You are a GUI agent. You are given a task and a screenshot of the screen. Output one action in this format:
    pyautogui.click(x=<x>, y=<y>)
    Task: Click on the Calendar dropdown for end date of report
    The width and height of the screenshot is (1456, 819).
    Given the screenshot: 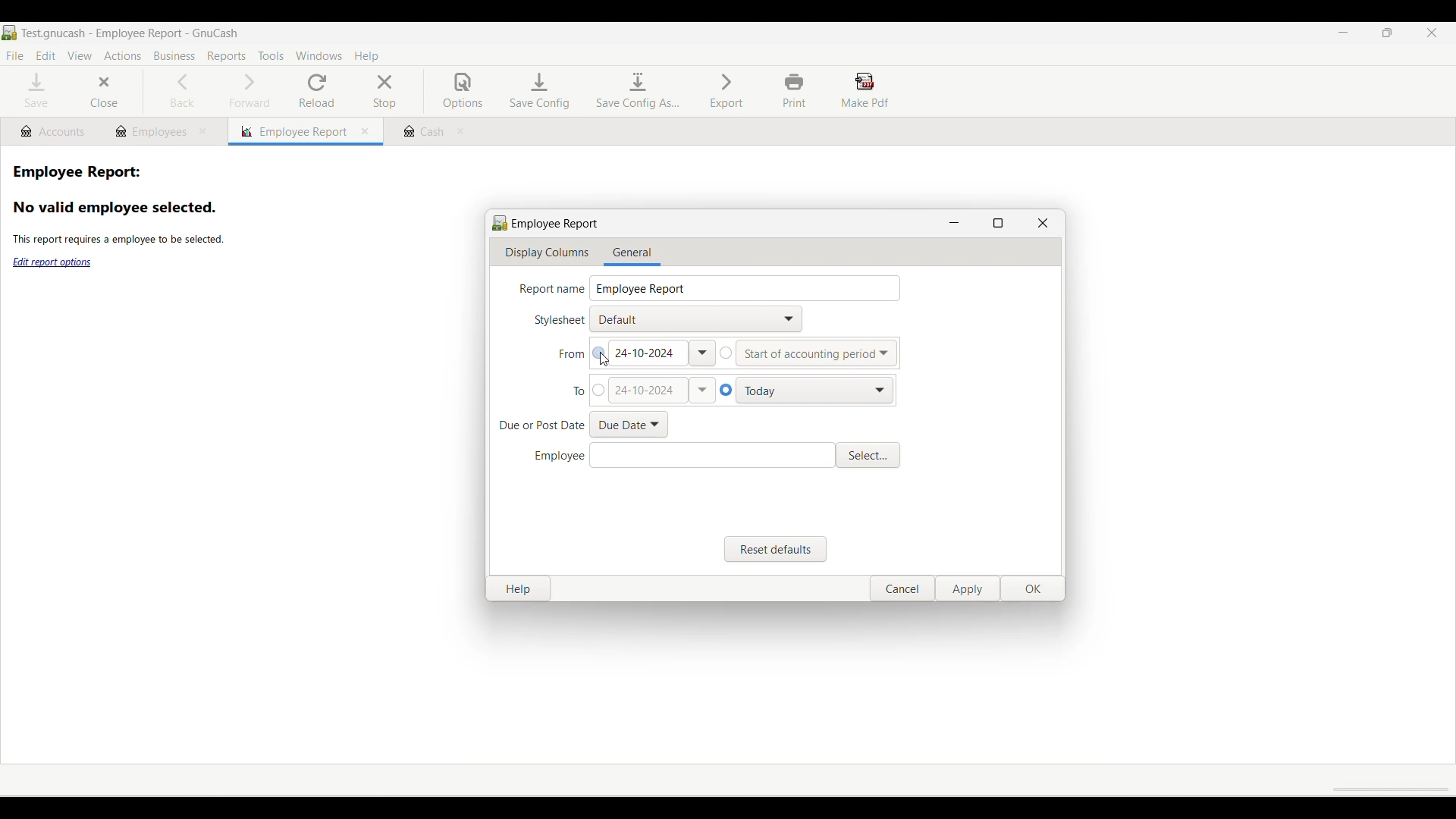 What is the action you would take?
    pyautogui.click(x=702, y=390)
    